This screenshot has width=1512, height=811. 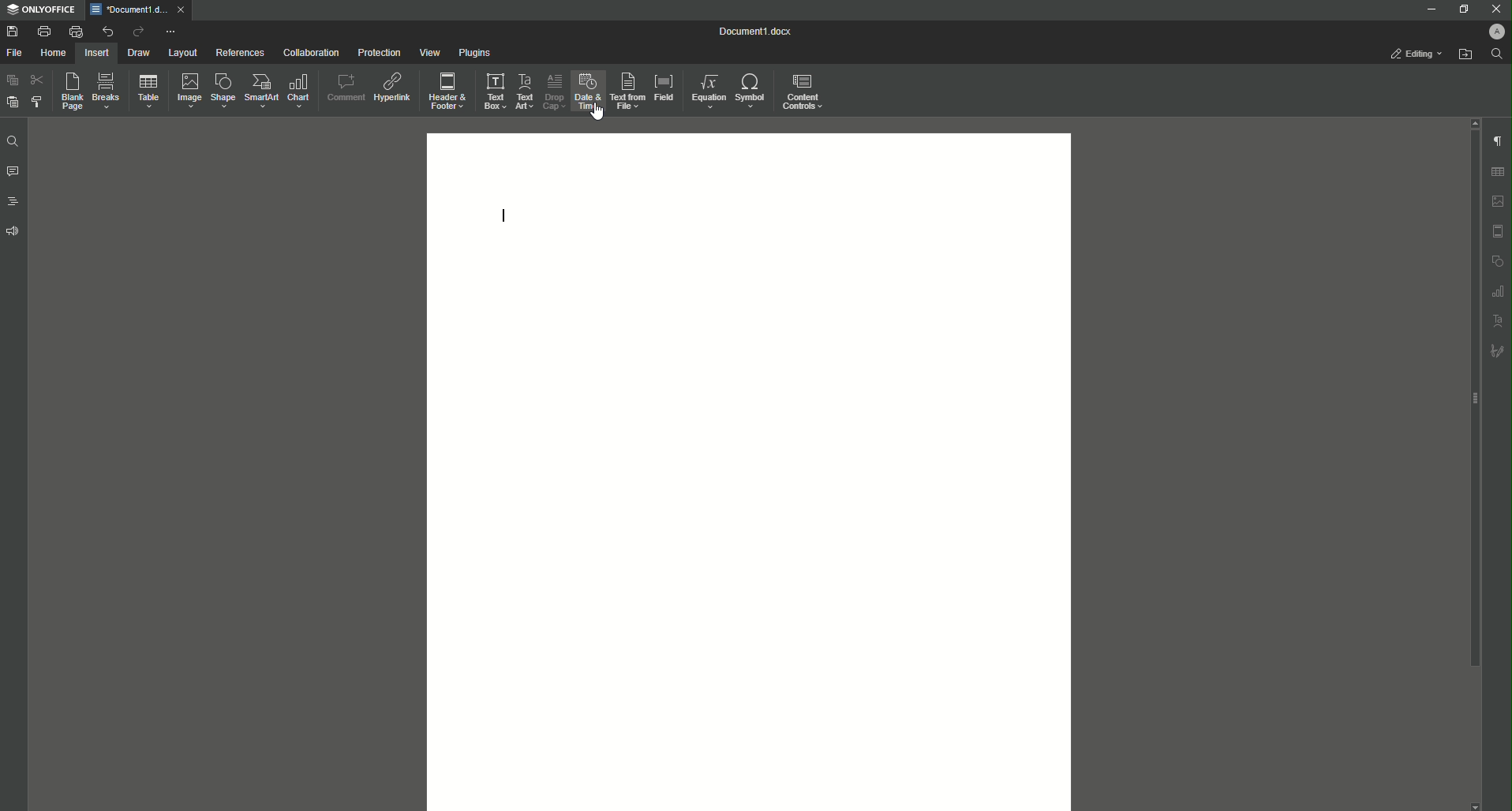 I want to click on shape settings, so click(x=1497, y=260).